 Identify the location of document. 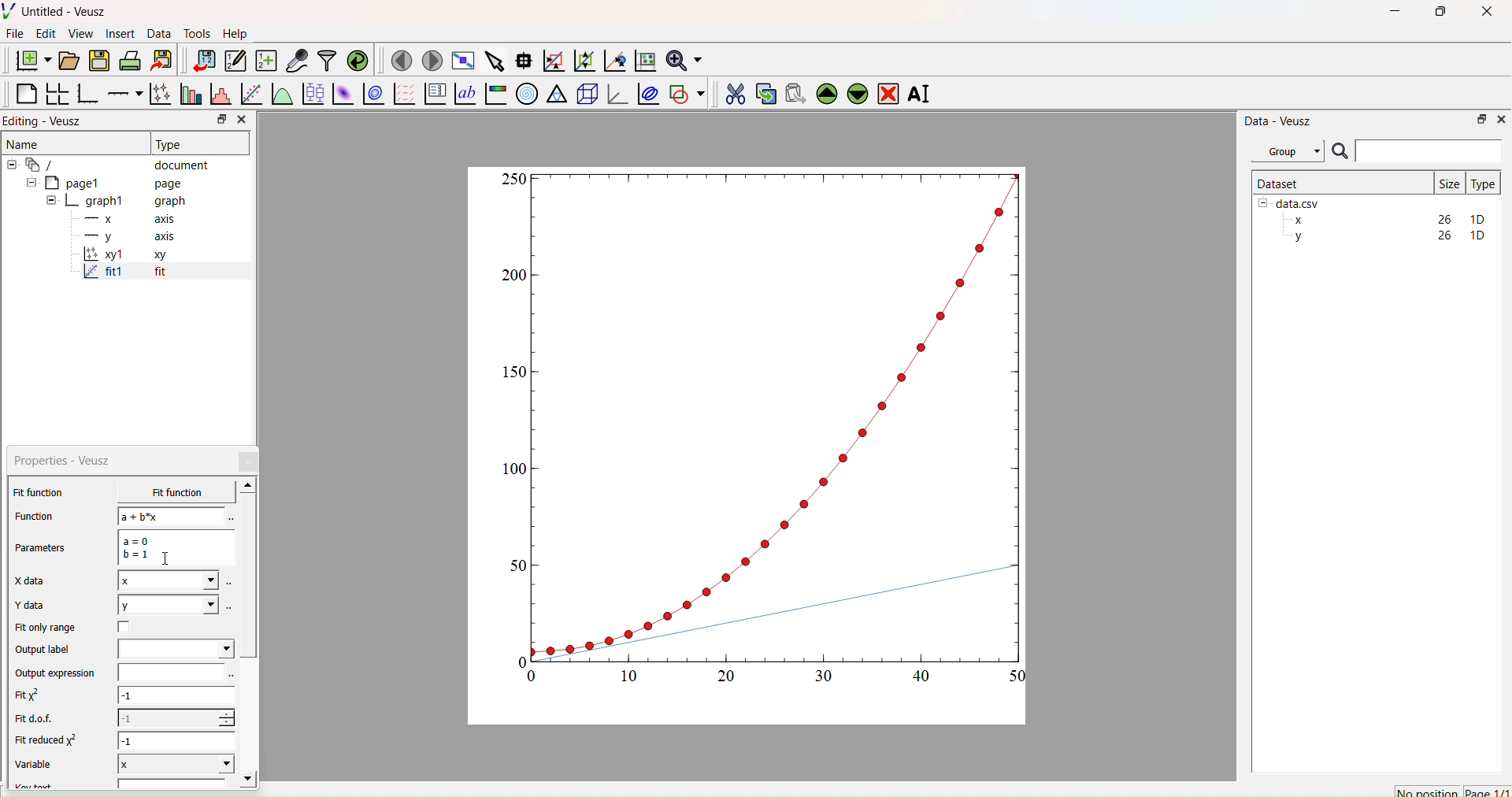
(114, 164).